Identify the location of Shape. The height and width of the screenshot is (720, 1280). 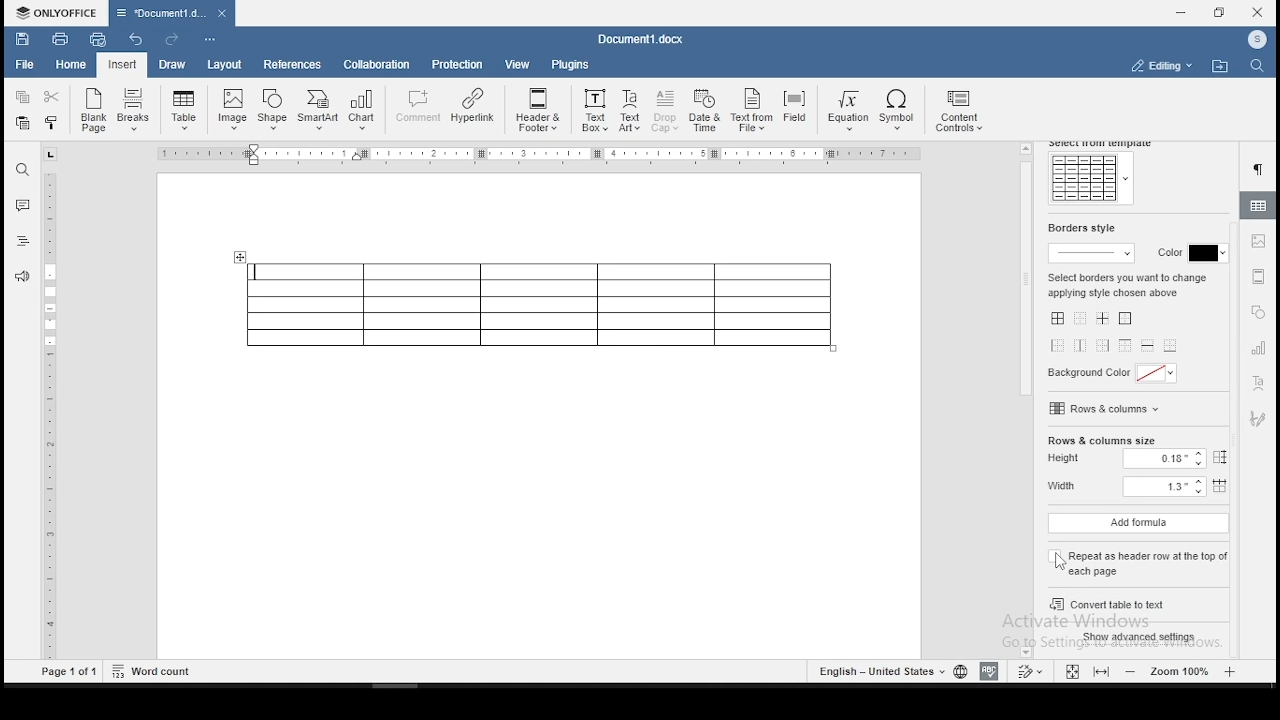
(274, 108).